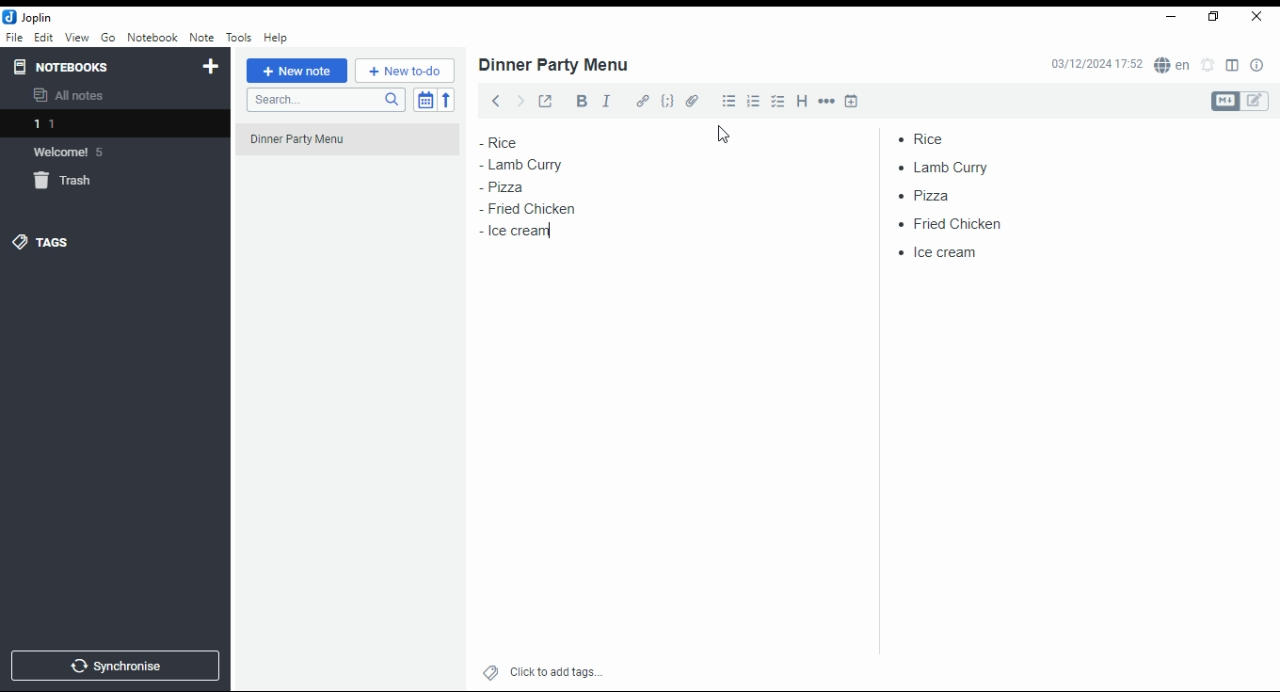  What do you see at coordinates (521, 163) in the screenshot?
I see `lamb curry` at bounding box center [521, 163].